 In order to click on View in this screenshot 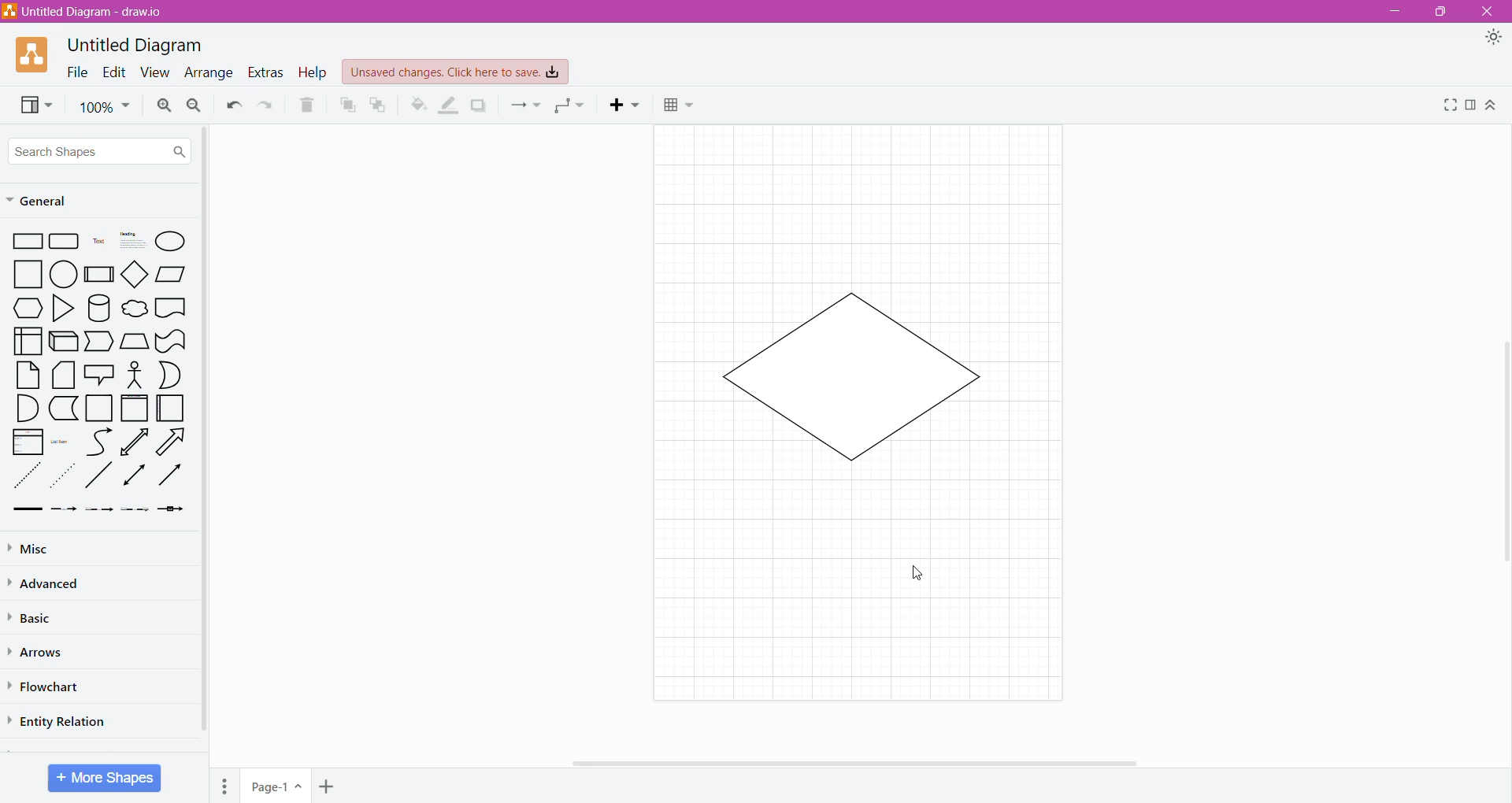, I will do `click(154, 73)`.